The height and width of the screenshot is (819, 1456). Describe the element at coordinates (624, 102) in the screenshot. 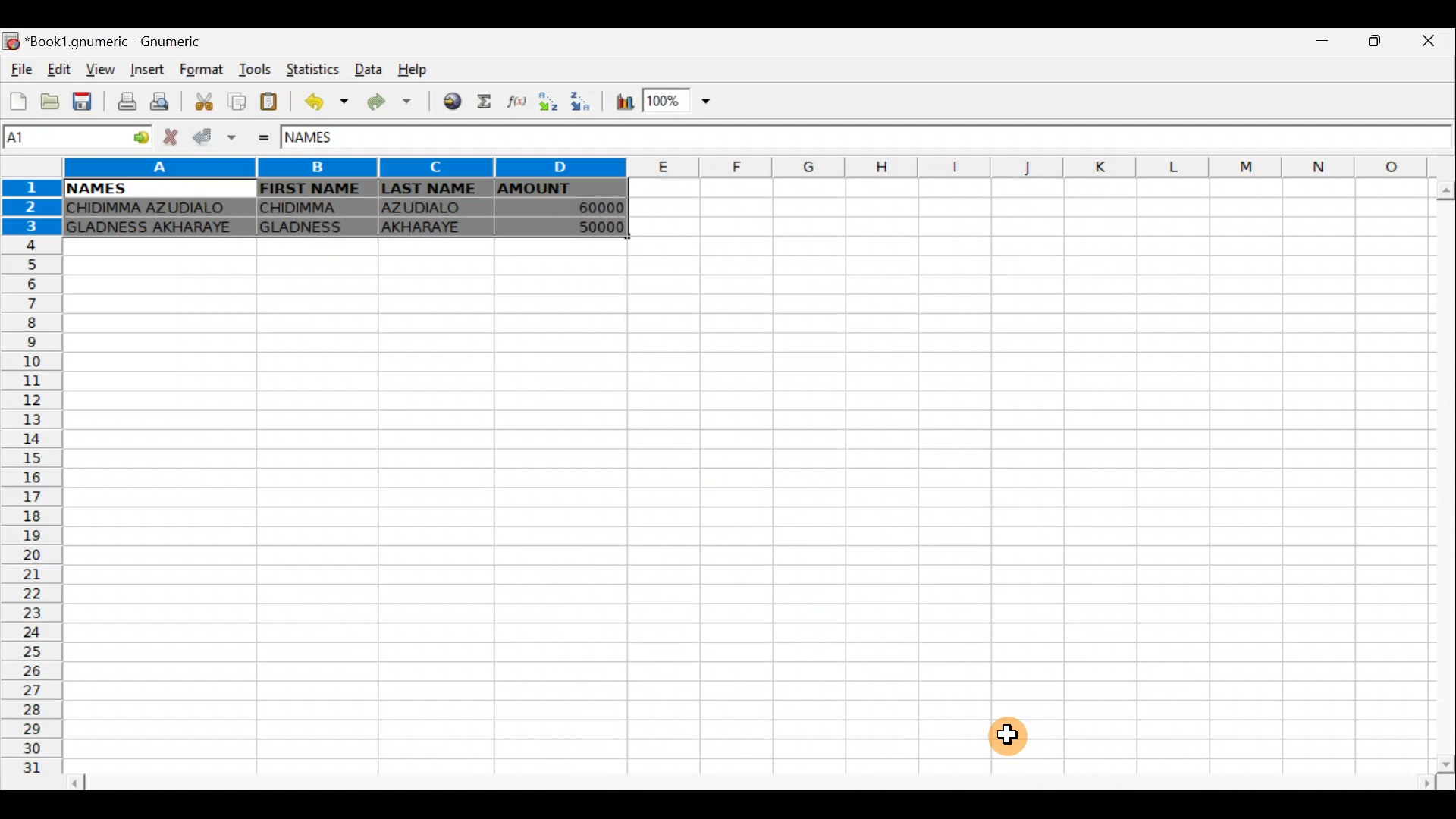

I see `Insert chart` at that location.